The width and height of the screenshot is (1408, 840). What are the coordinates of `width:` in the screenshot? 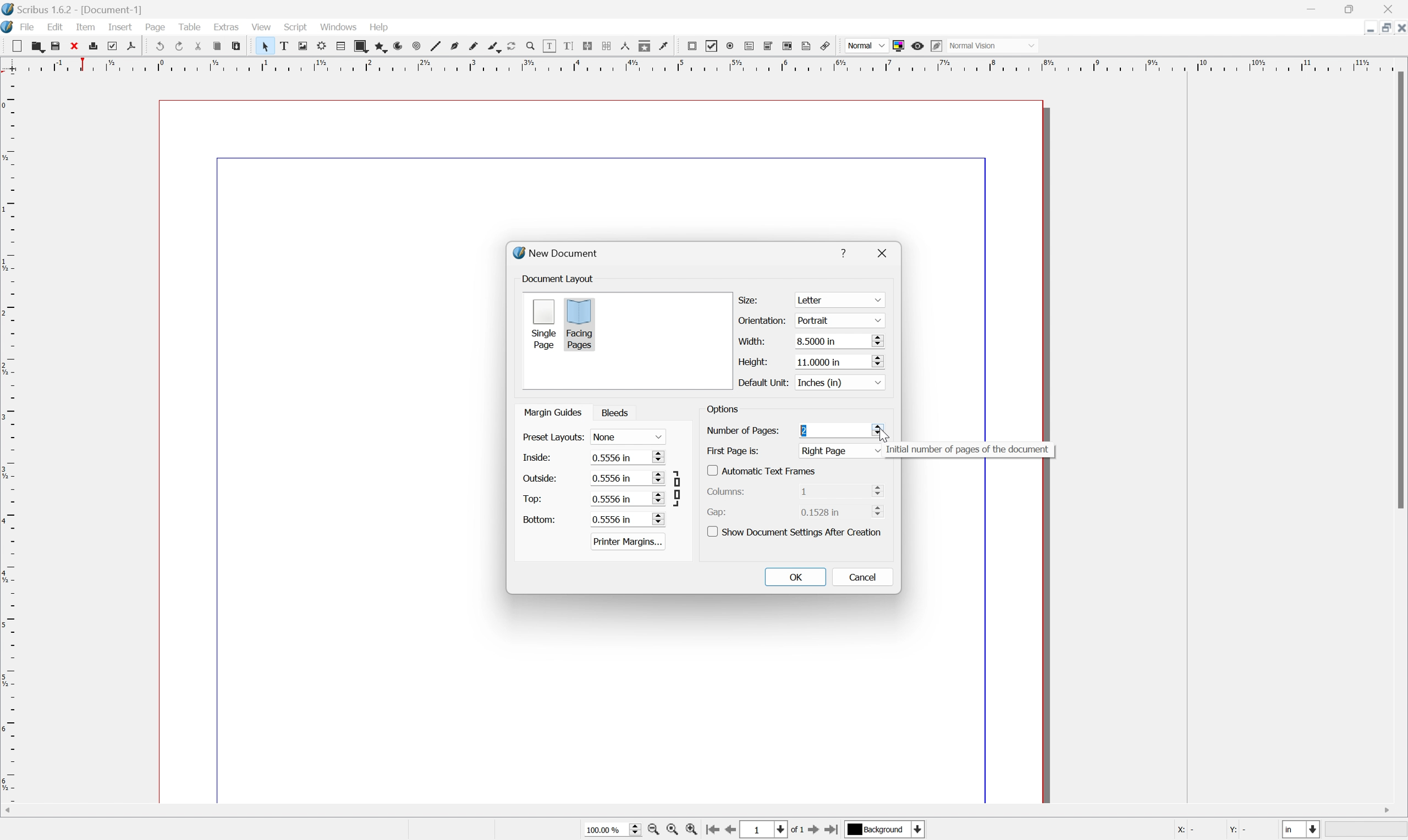 It's located at (750, 340).